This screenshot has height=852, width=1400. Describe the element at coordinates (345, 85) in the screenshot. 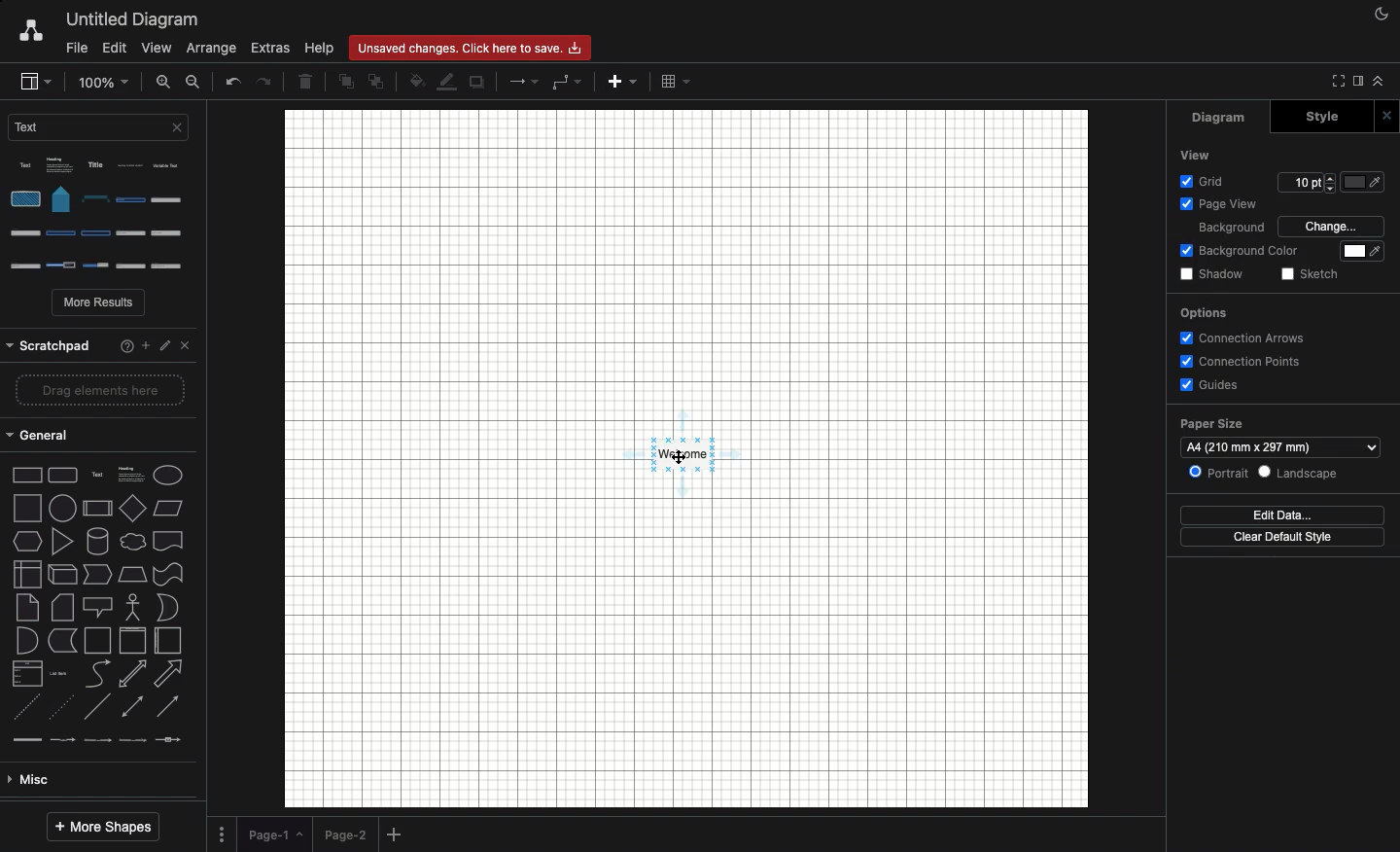

I see `To front` at that location.